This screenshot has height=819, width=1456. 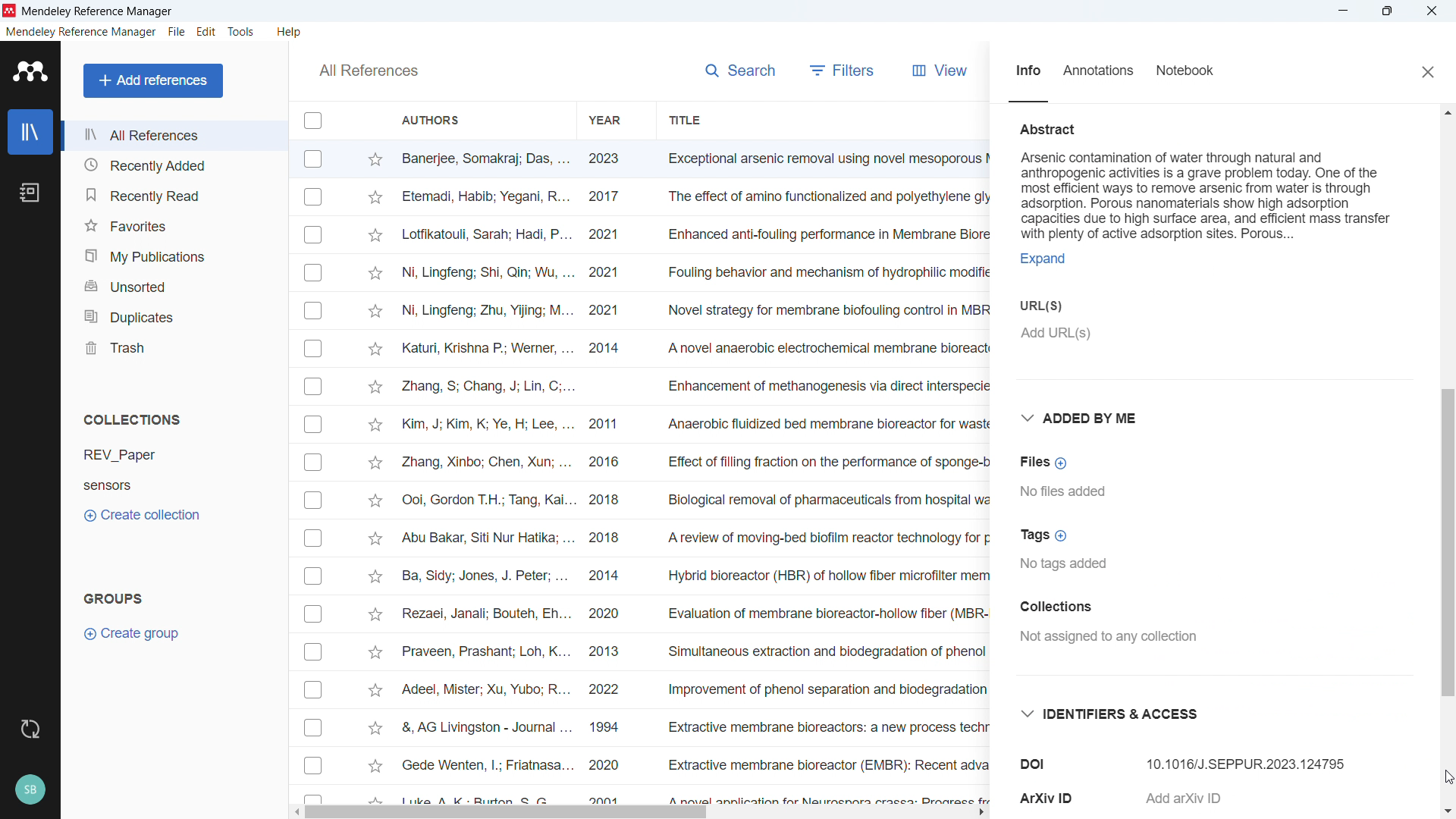 I want to click on 1994, so click(x=609, y=726).